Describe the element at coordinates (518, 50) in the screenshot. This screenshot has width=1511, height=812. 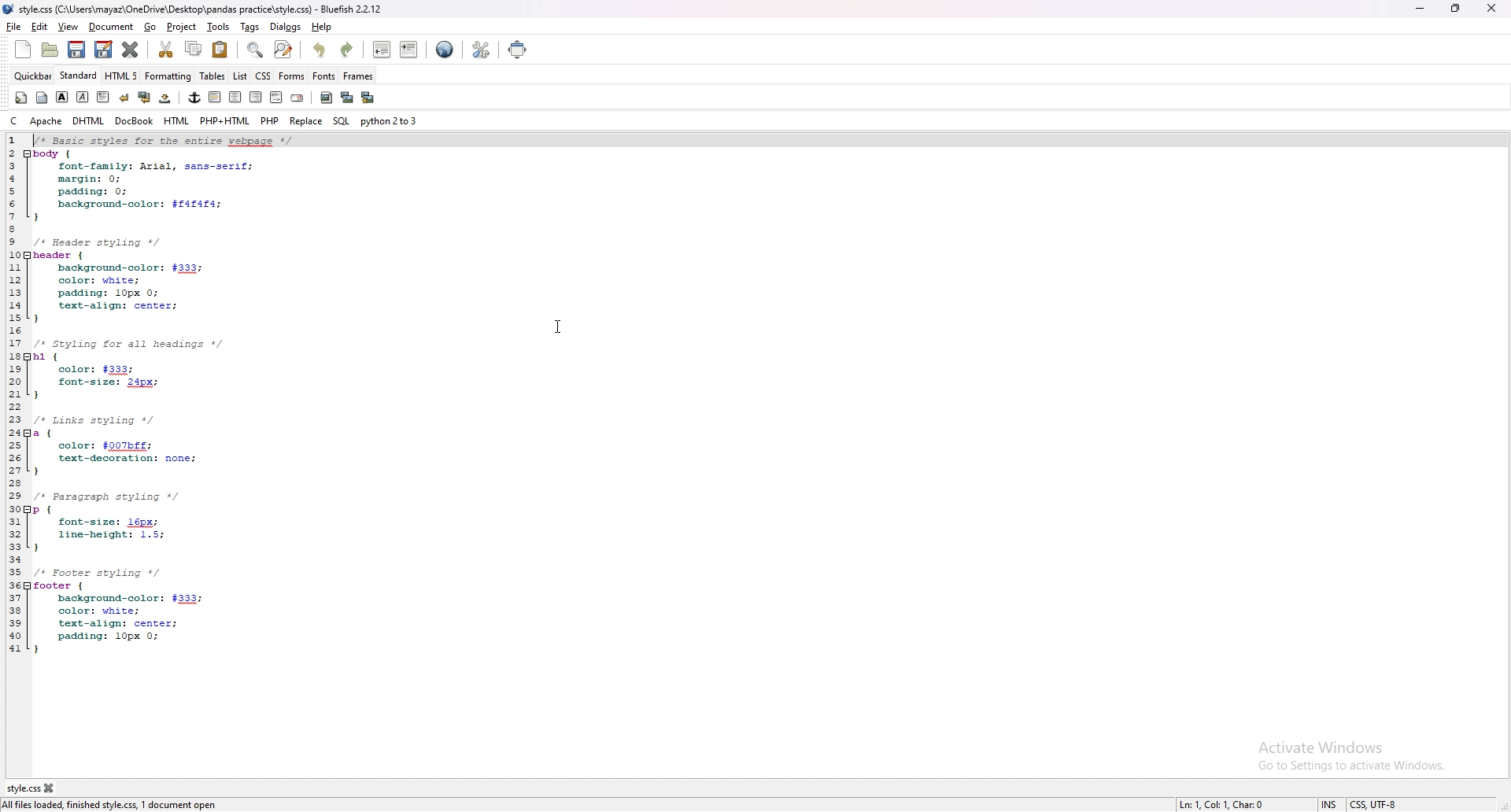
I see `full screen` at that location.